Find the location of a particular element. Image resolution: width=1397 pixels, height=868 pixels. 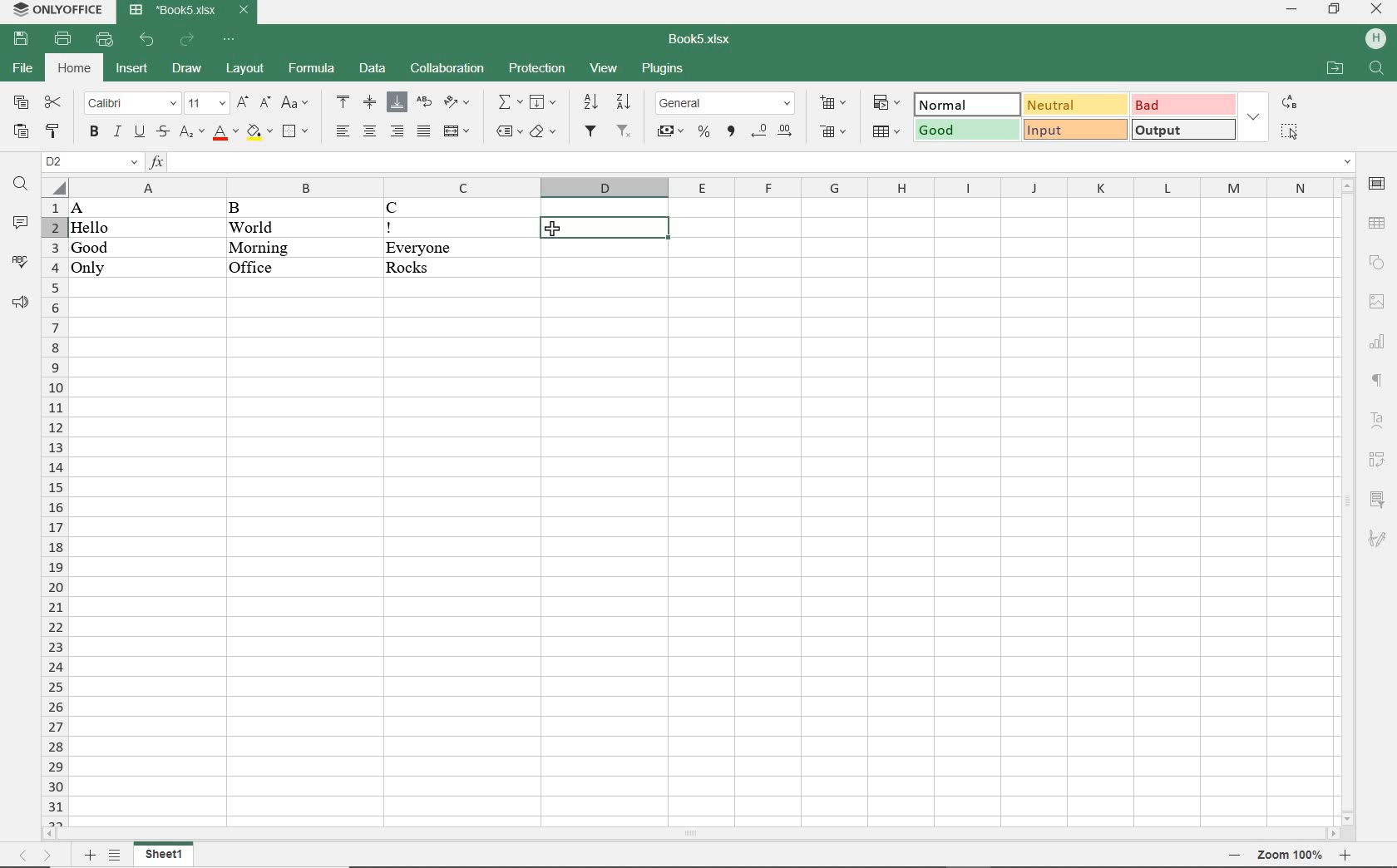

shading is located at coordinates (542, 134).